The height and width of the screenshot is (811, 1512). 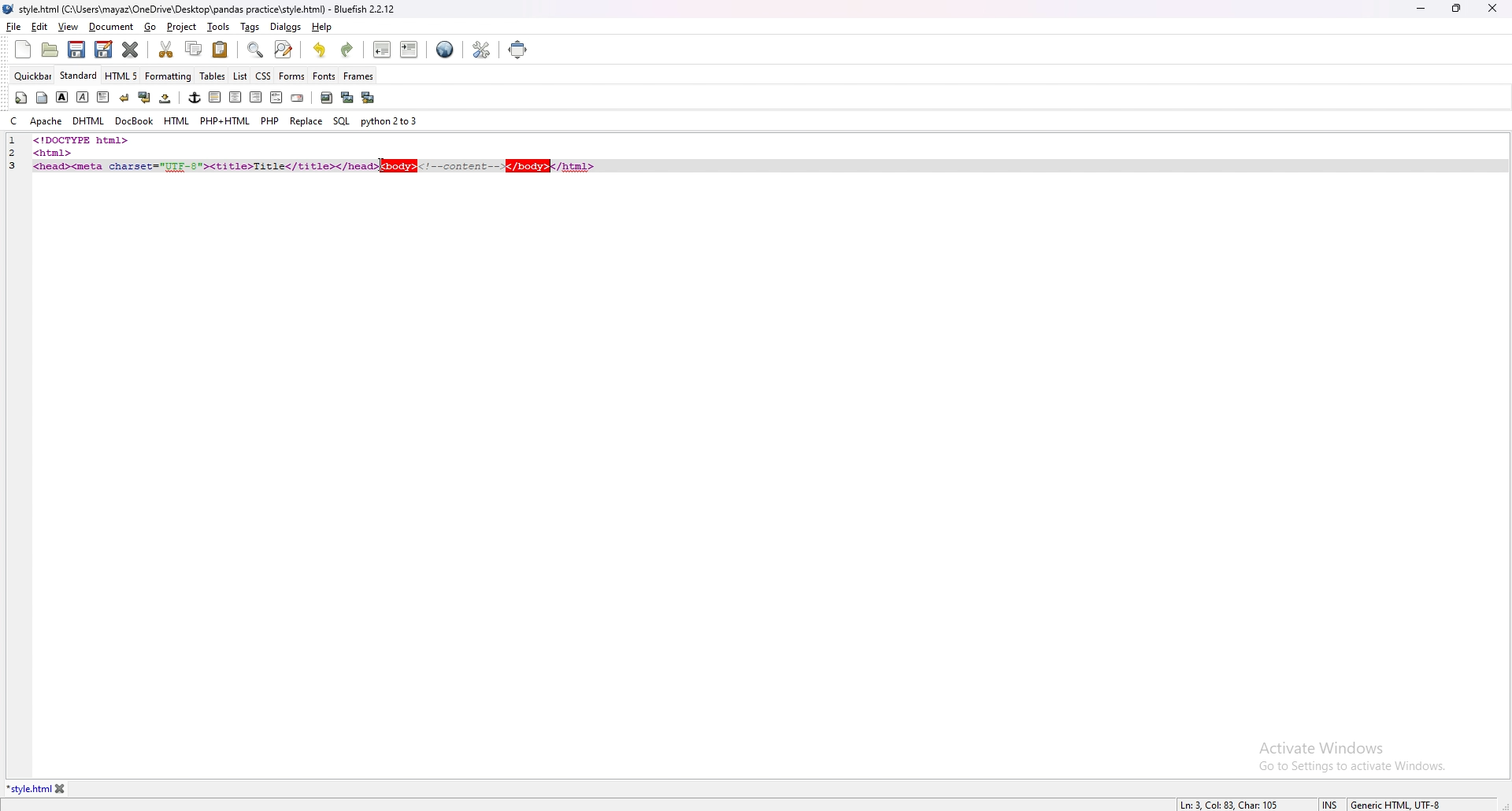 What do you see at coordinates (321, 164) in the screenshot?
I see `code` at bounding box center [321, 164].